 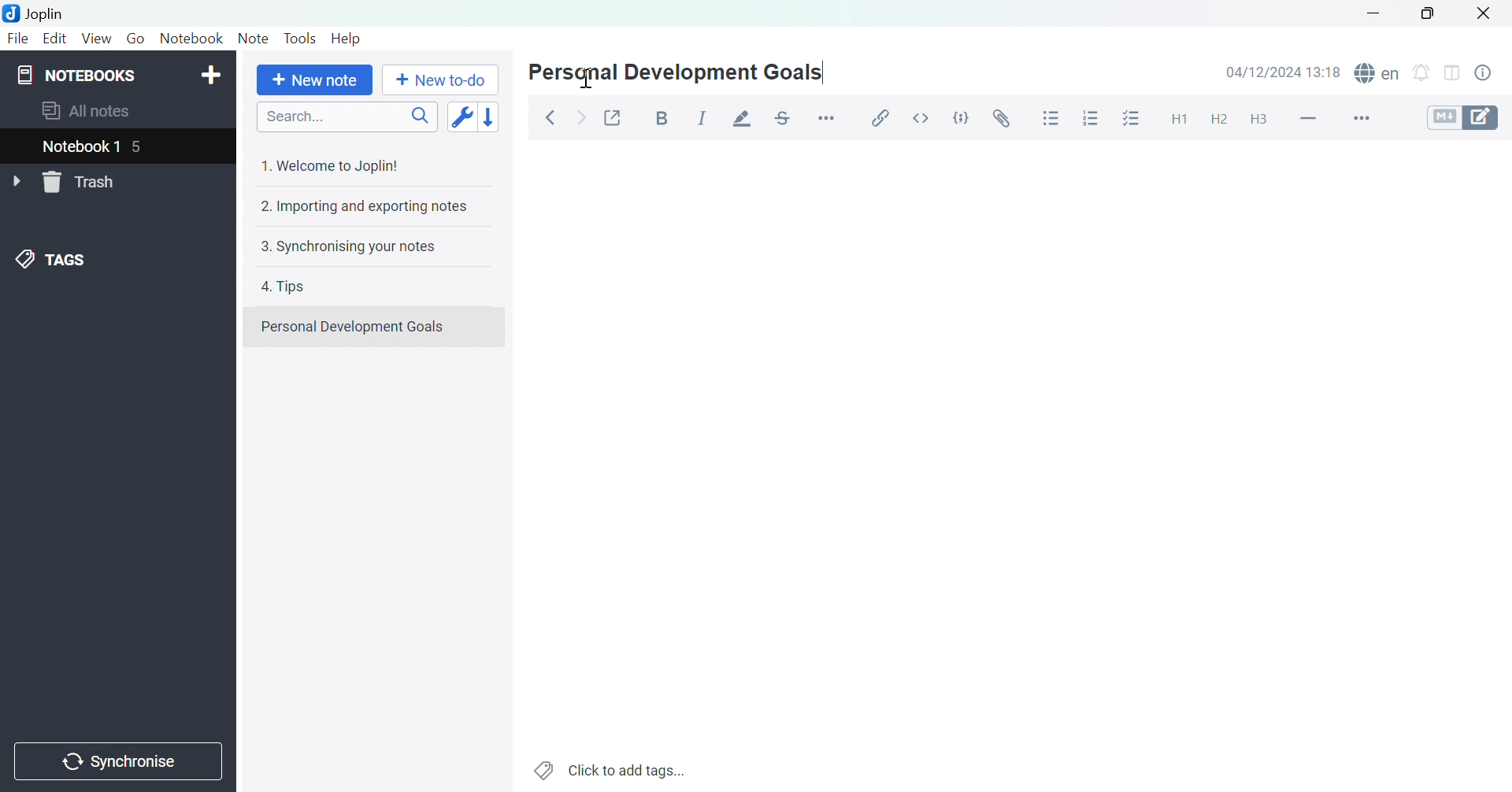 What do you see at coordinates (1371, 13) in the screenshot?
I see `Minimize` at bounding box center [1371, 13].